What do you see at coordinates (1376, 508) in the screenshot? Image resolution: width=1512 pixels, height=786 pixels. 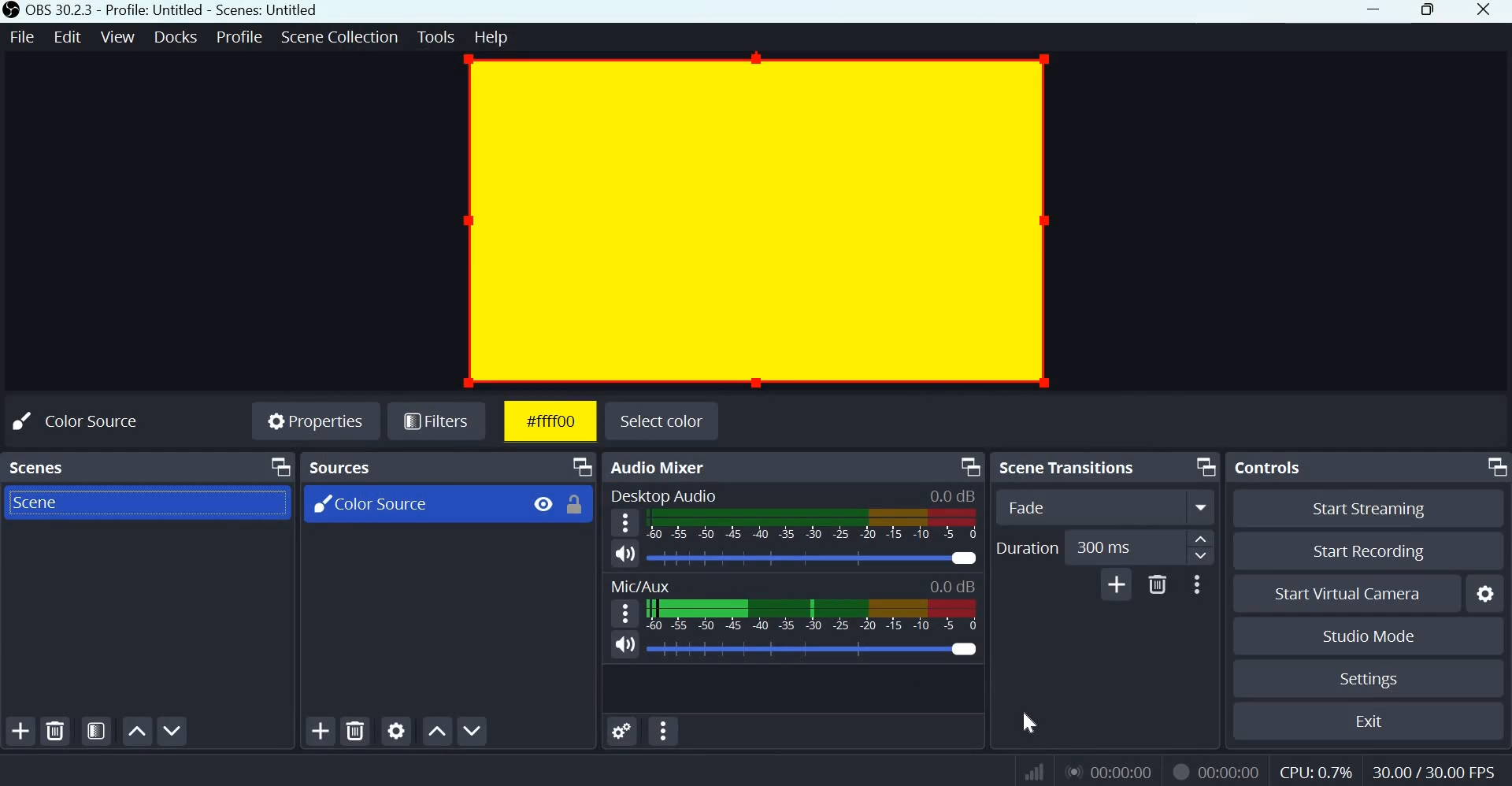 I see `Start streaming` at bounding box center [1376, 508].